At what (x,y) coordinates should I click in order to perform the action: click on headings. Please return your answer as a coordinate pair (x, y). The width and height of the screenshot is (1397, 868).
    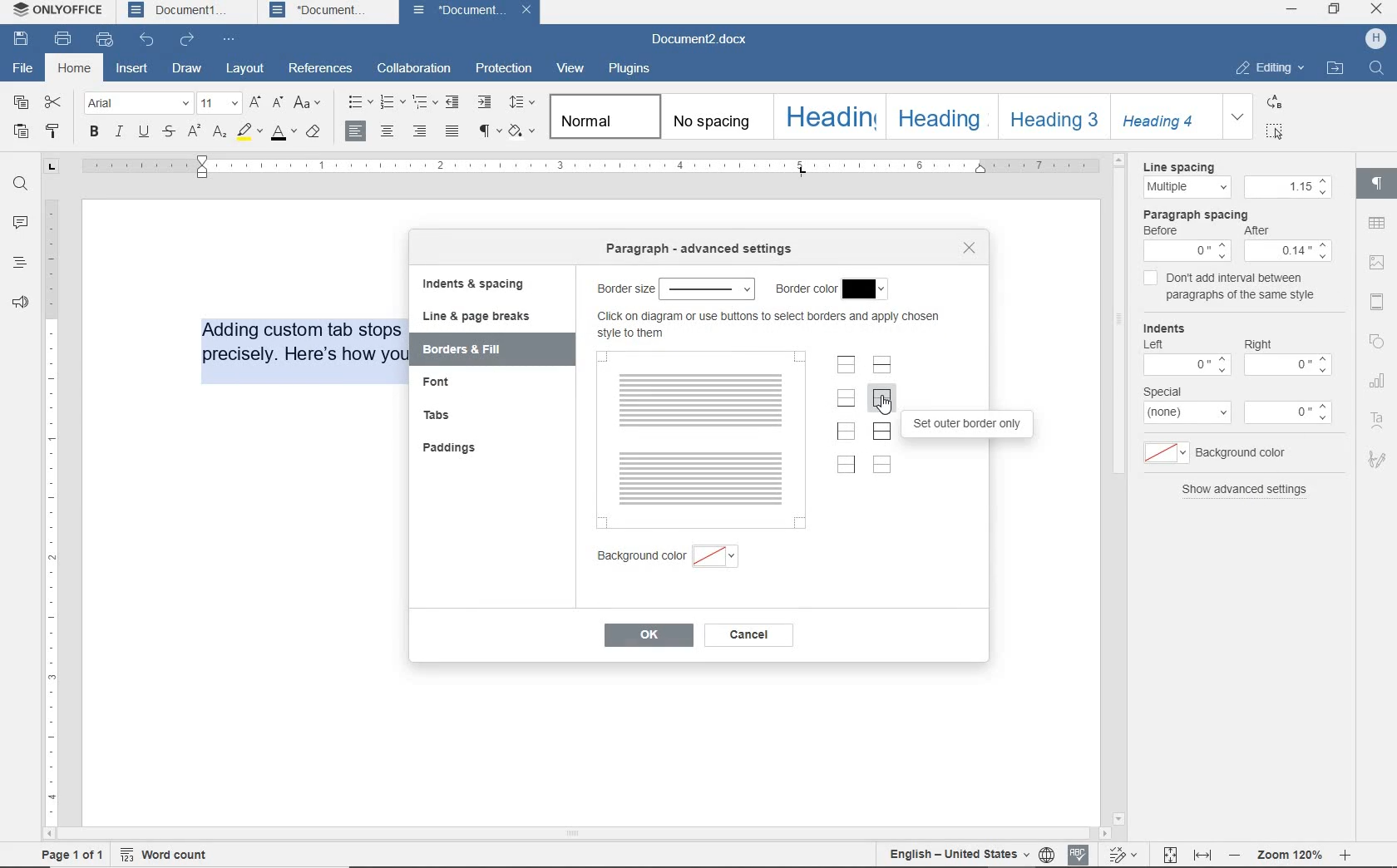
    Looking at the image, I should click on (17, 264).